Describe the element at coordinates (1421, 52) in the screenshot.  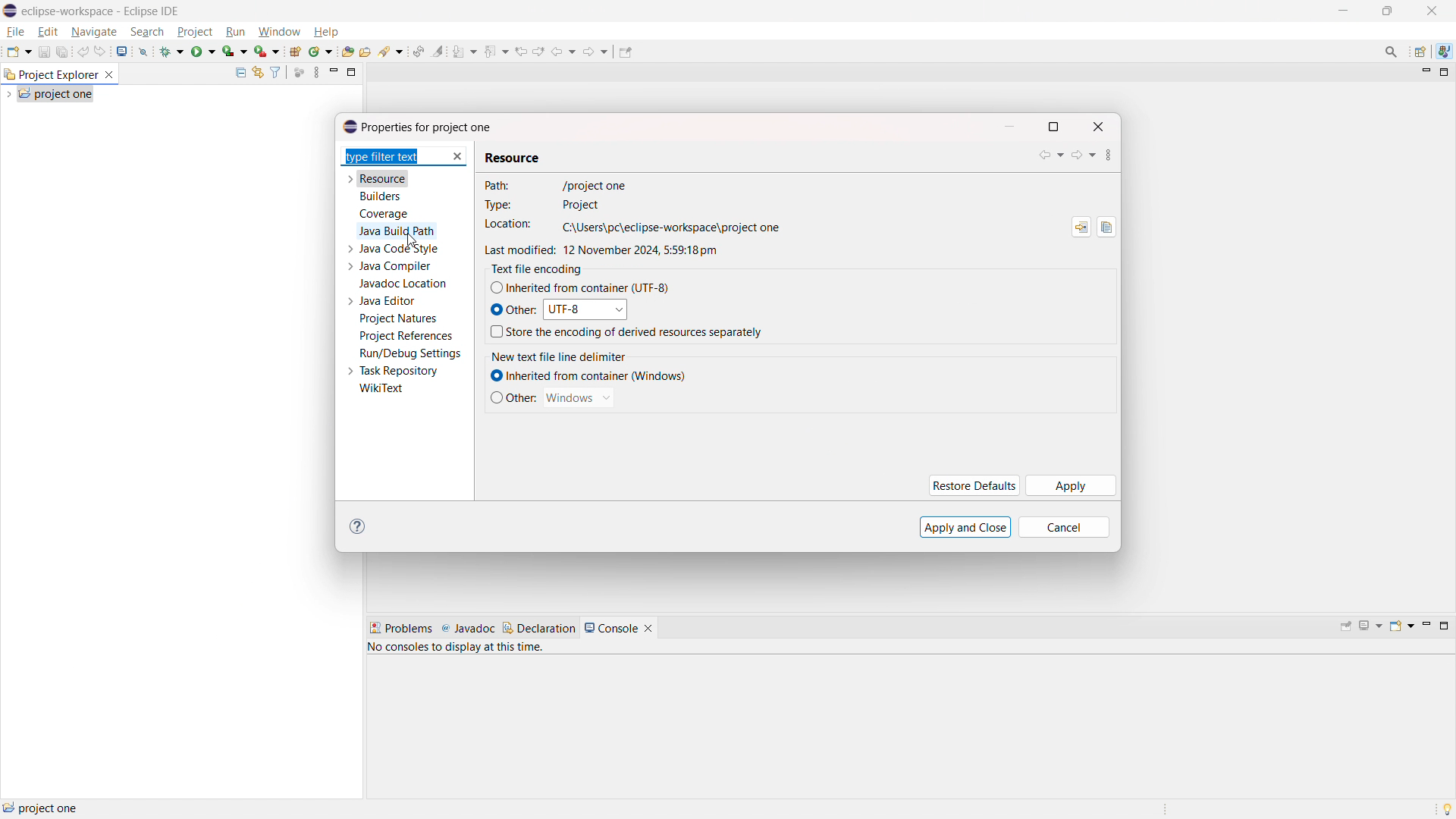
I see `open perspective` at that location.